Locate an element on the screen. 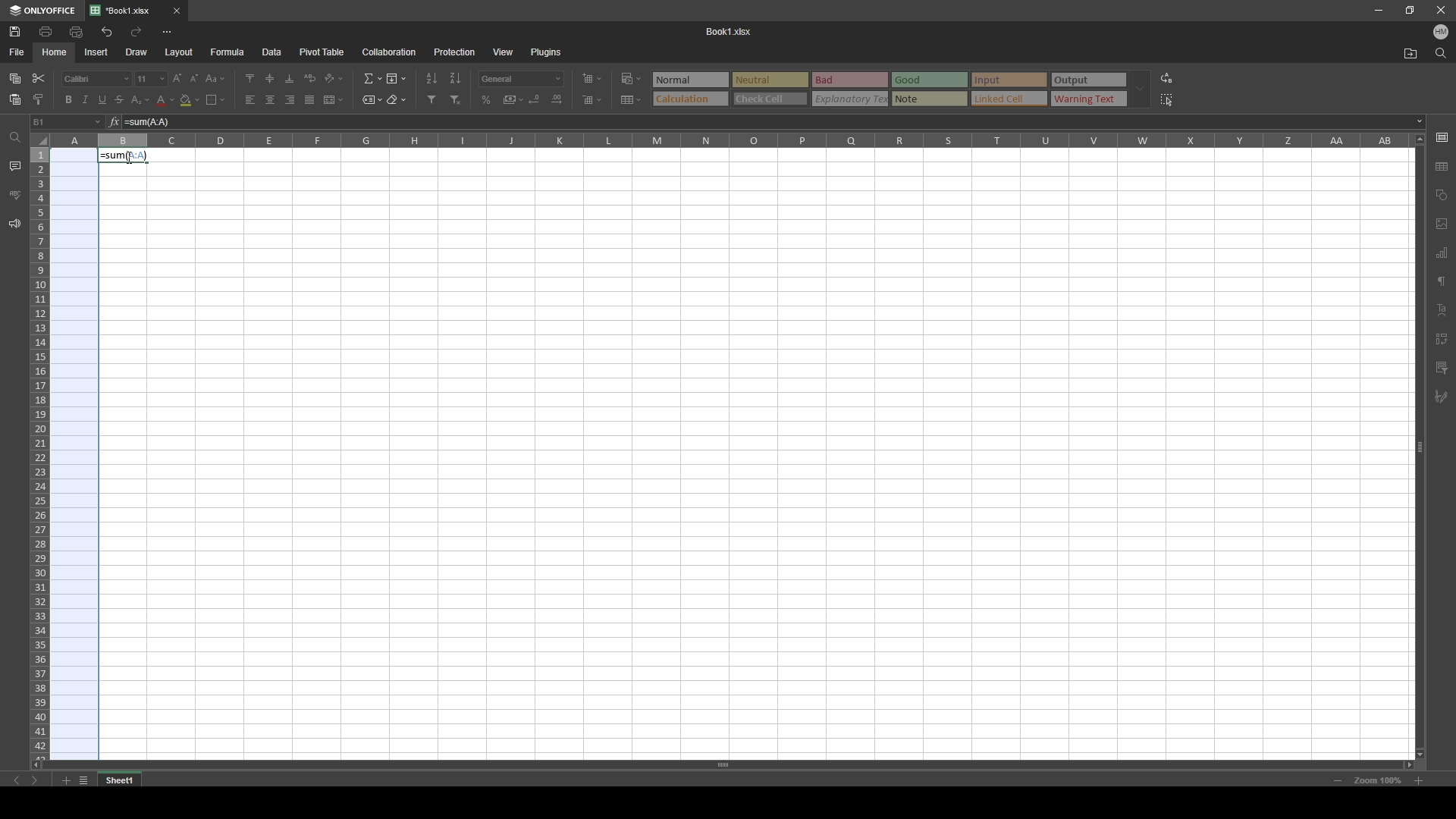 This screenshot has width=1456, height=819. bold is located at coordinates (67, 99).